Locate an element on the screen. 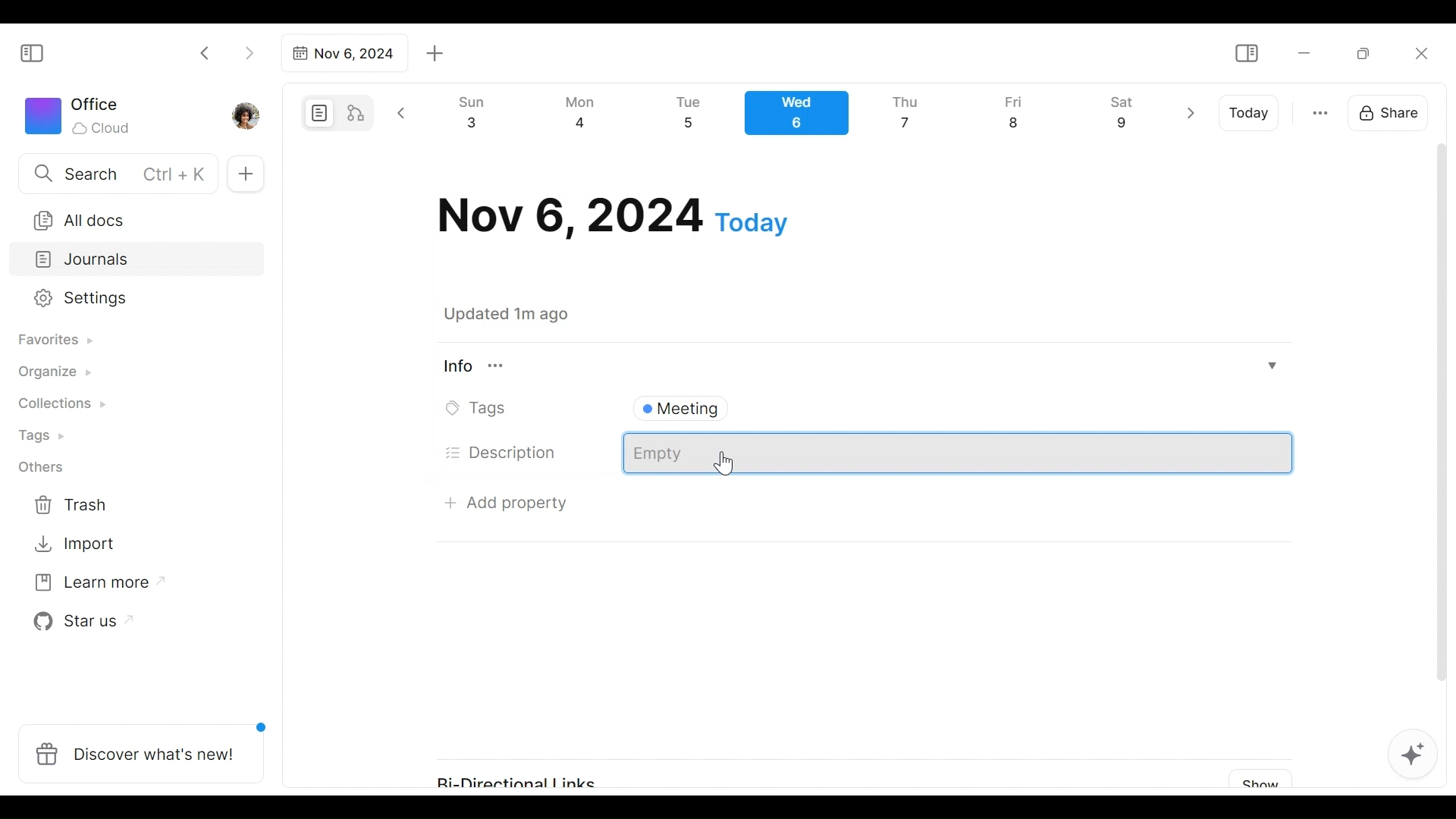  Tags is located at coordinates (480, 409).